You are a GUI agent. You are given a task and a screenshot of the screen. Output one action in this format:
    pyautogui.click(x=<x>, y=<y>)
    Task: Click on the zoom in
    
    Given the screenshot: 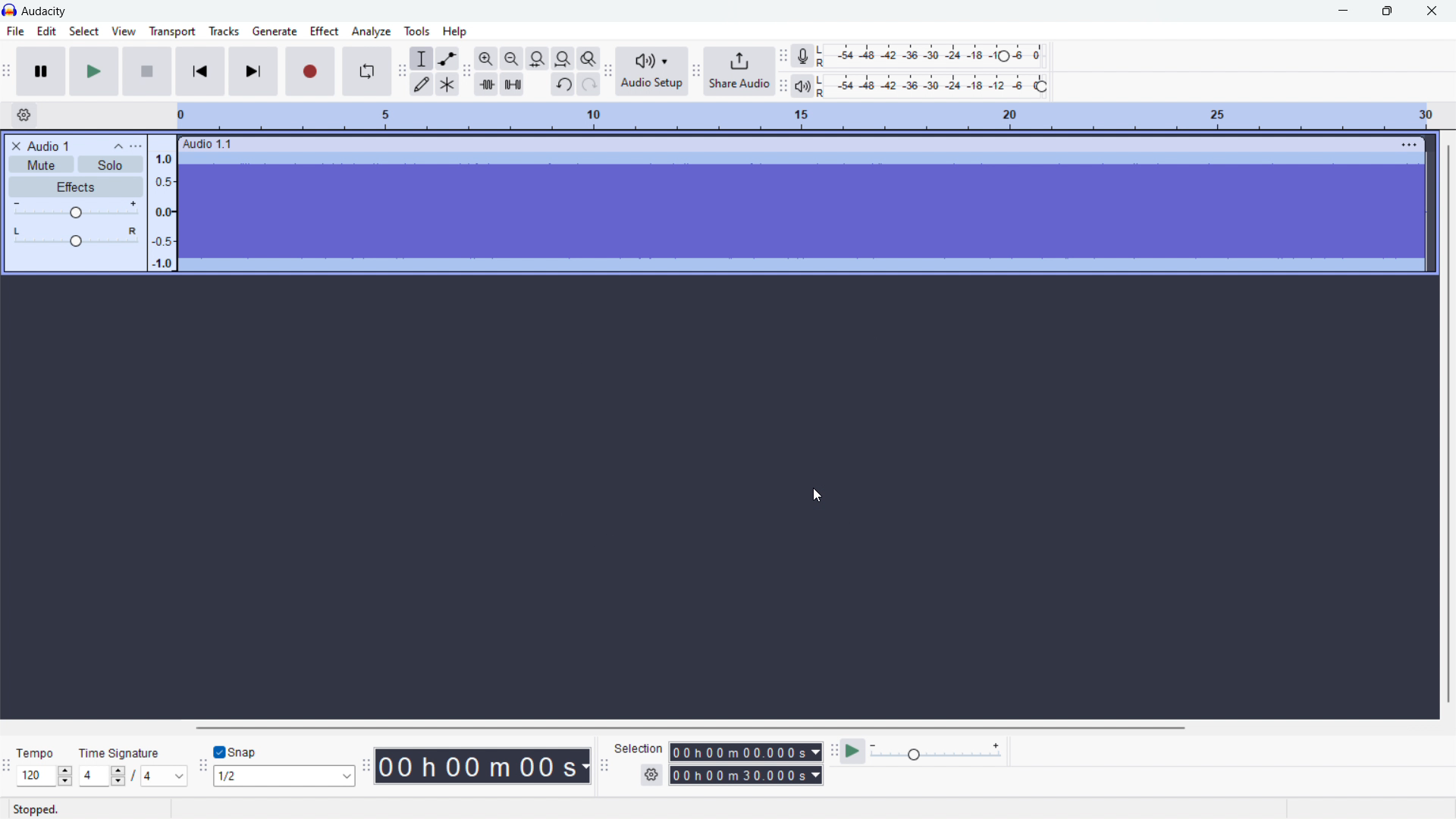 What is the action you would take?
    pyautogui.click(x=487, y=58)
    